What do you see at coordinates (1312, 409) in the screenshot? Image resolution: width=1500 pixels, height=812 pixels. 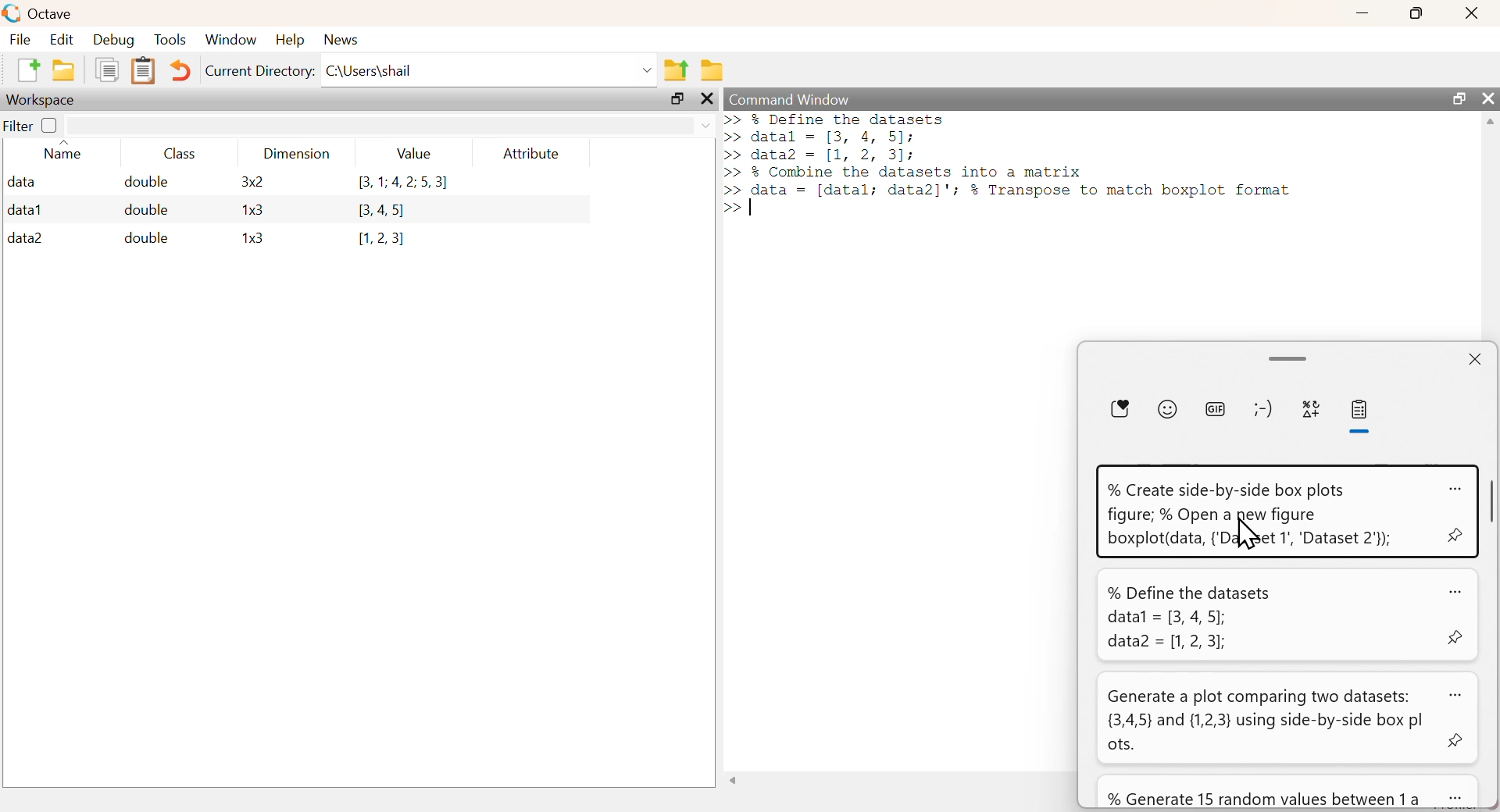 I see `special characters` at bounding box center [1312, 409].